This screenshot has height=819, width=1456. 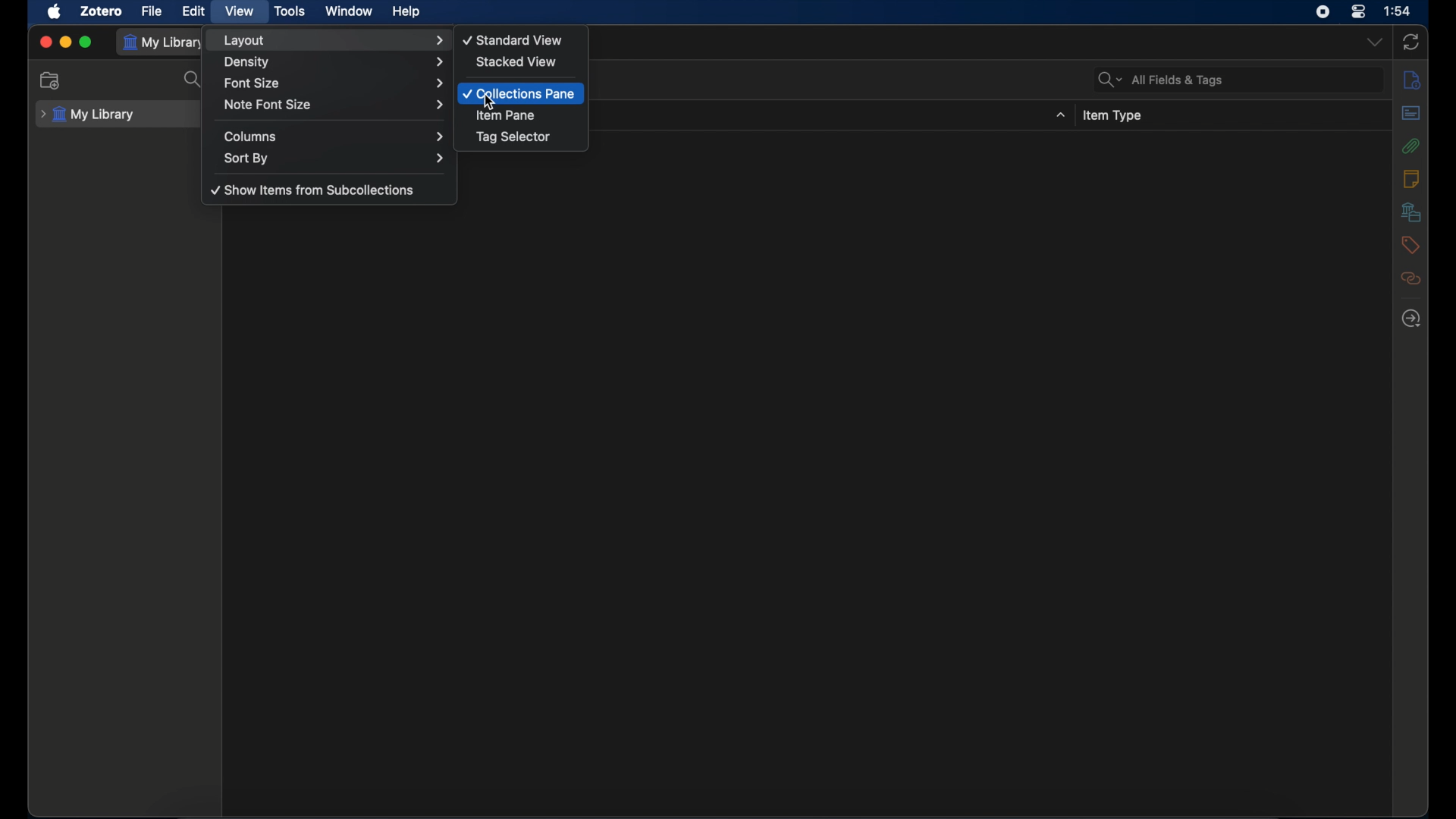 What do you see at coordinates (1323, 12) in the screenshot?
I see `screen recorder` at bounding box center [1323, 12].